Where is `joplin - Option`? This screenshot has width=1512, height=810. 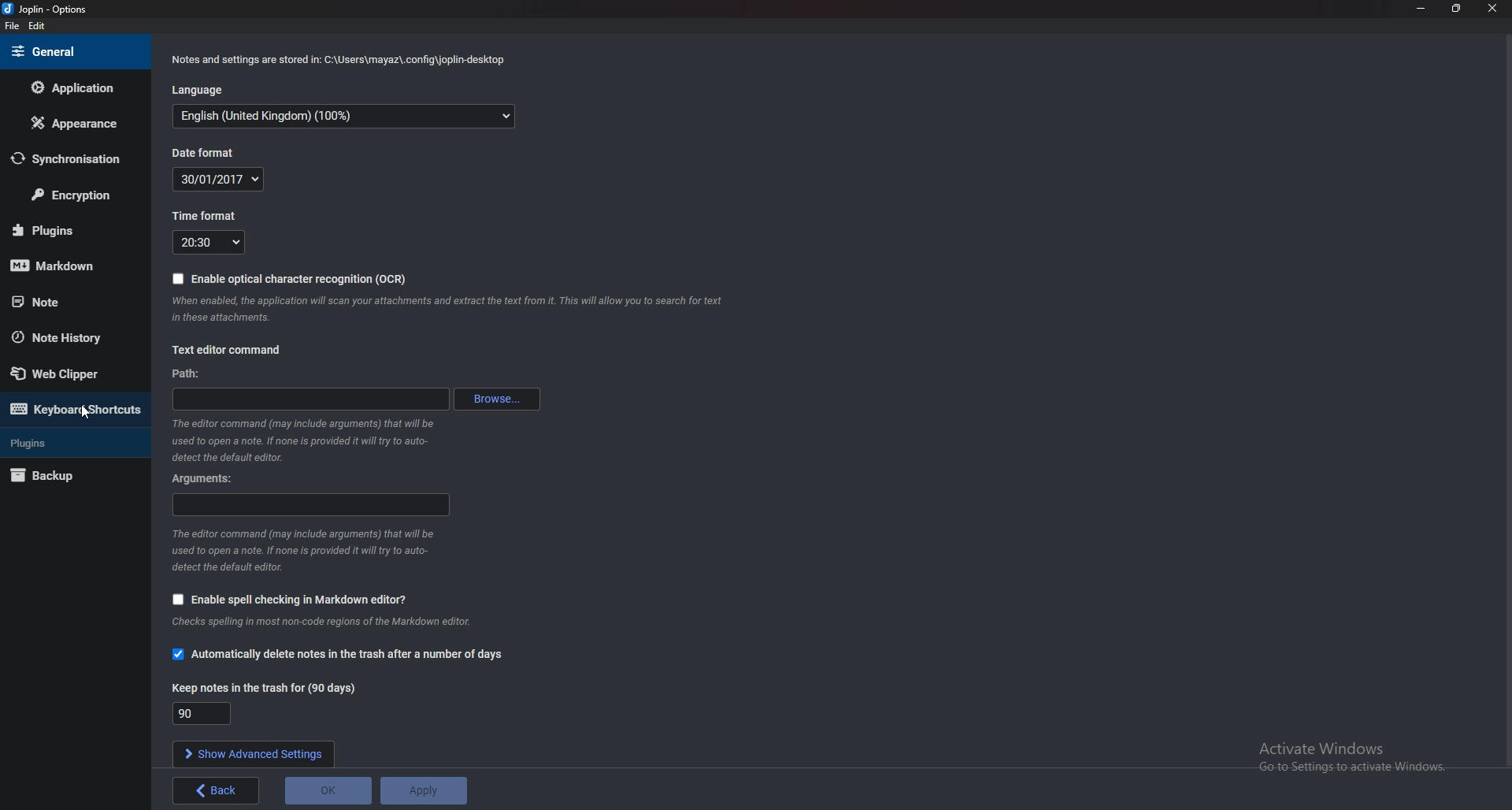 joplin - Option is located at coordinates (47, 9).